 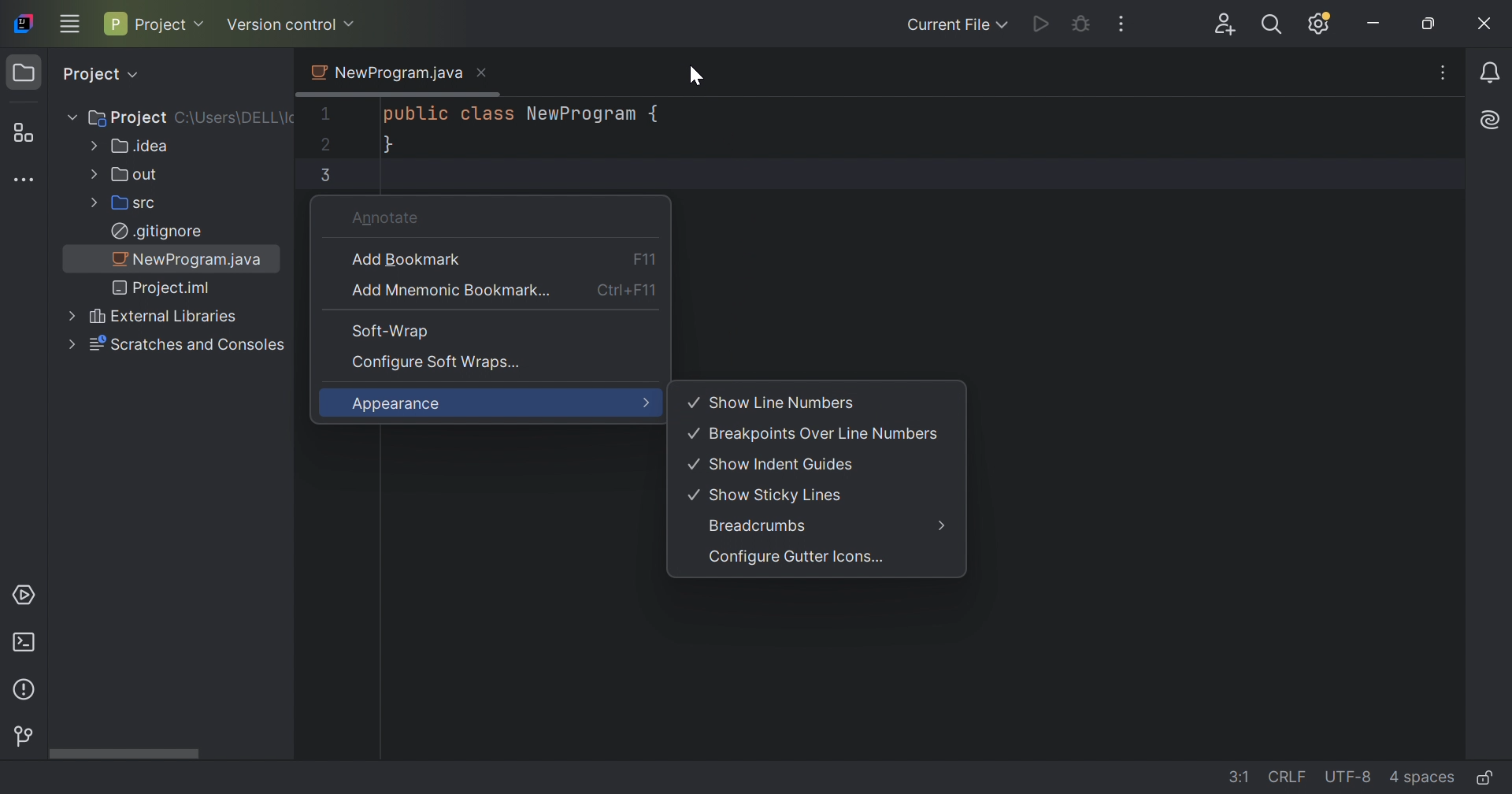 What do you see at coordinates (172, 752) in the screenshot?
I see `Scroll Bar` at bounding box center [172, 752].